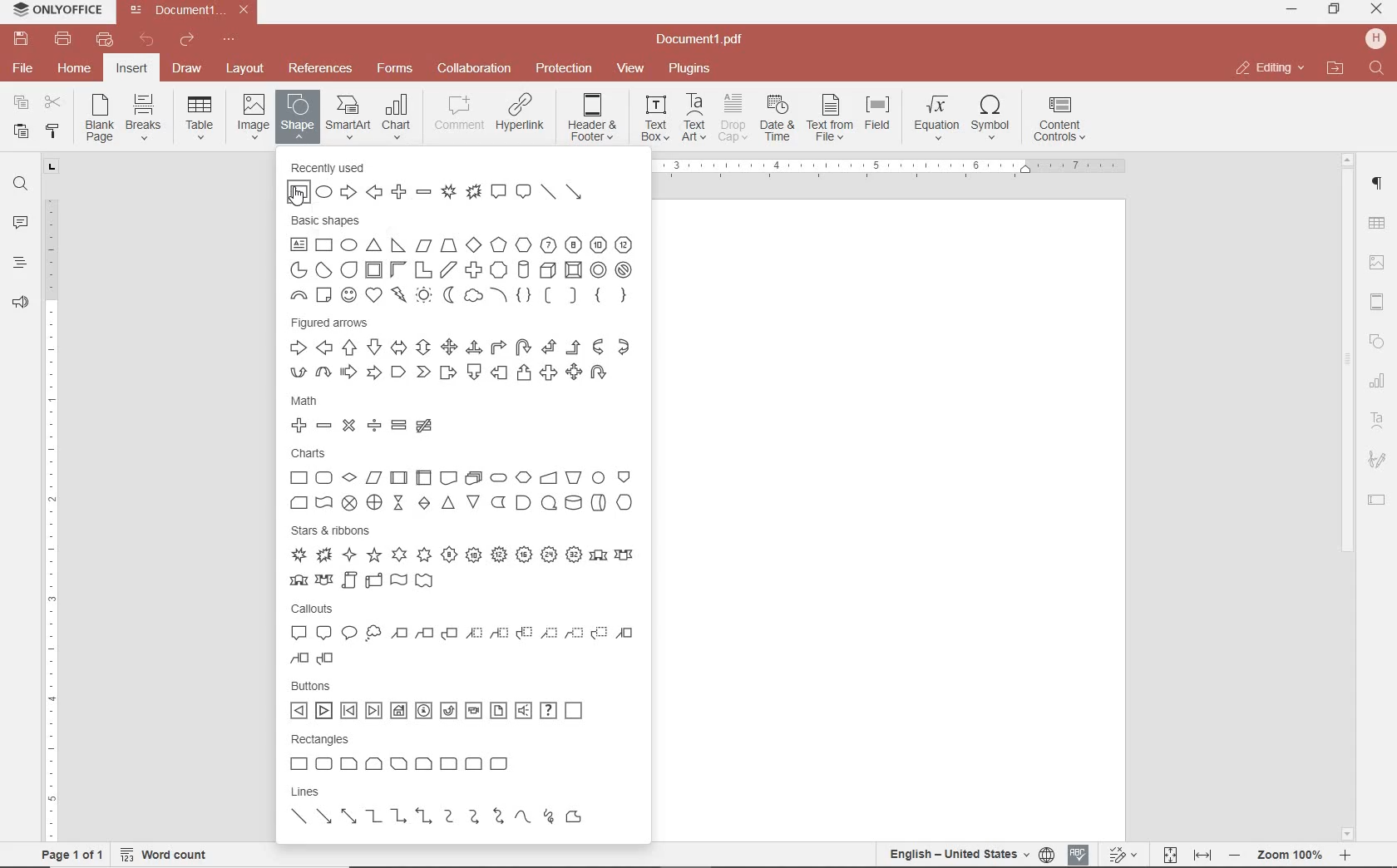  I want to click on HEADERS & FOOTERS, so click(1378, 303).